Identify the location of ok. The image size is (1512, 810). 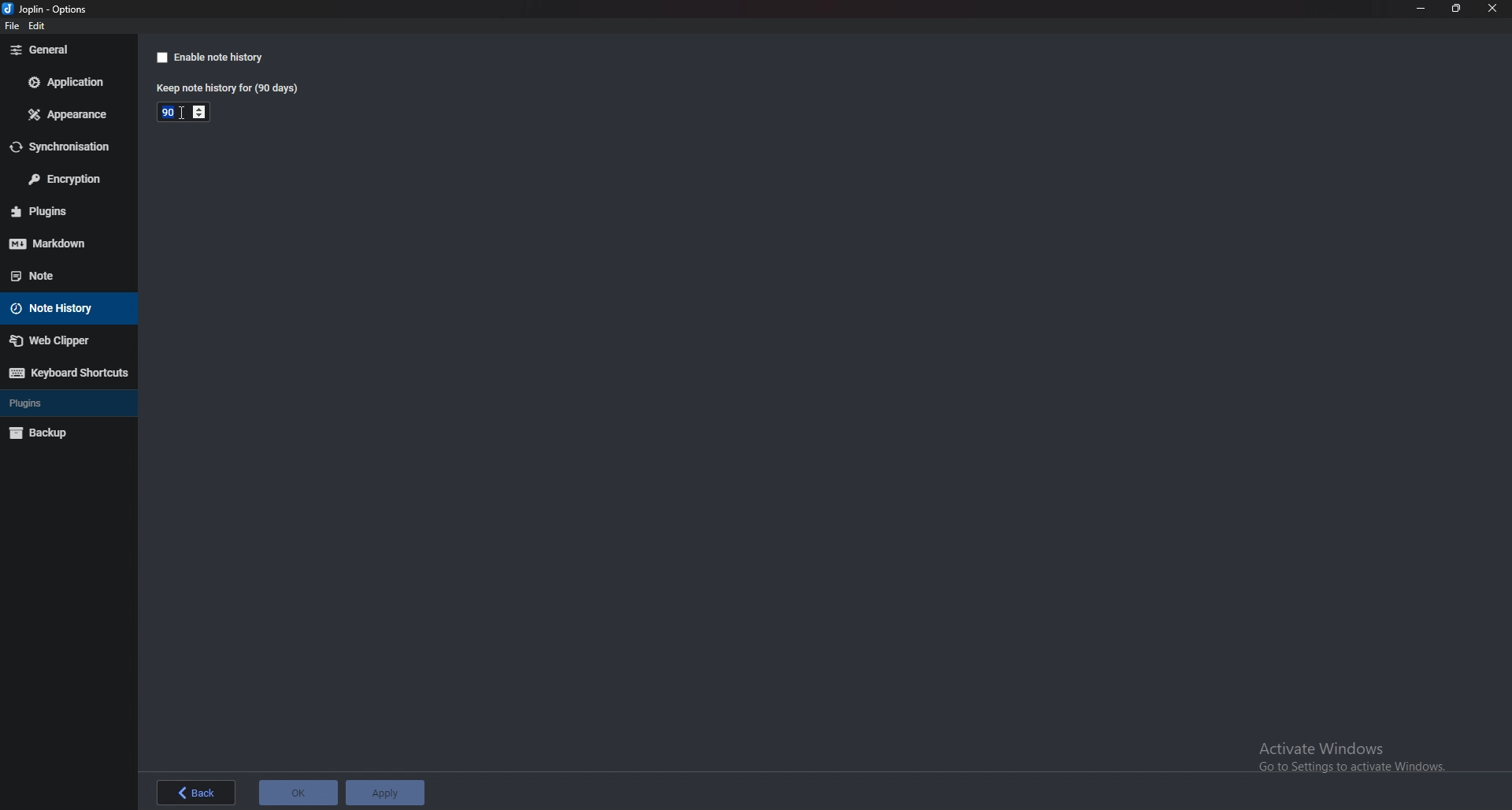
(298, 793).